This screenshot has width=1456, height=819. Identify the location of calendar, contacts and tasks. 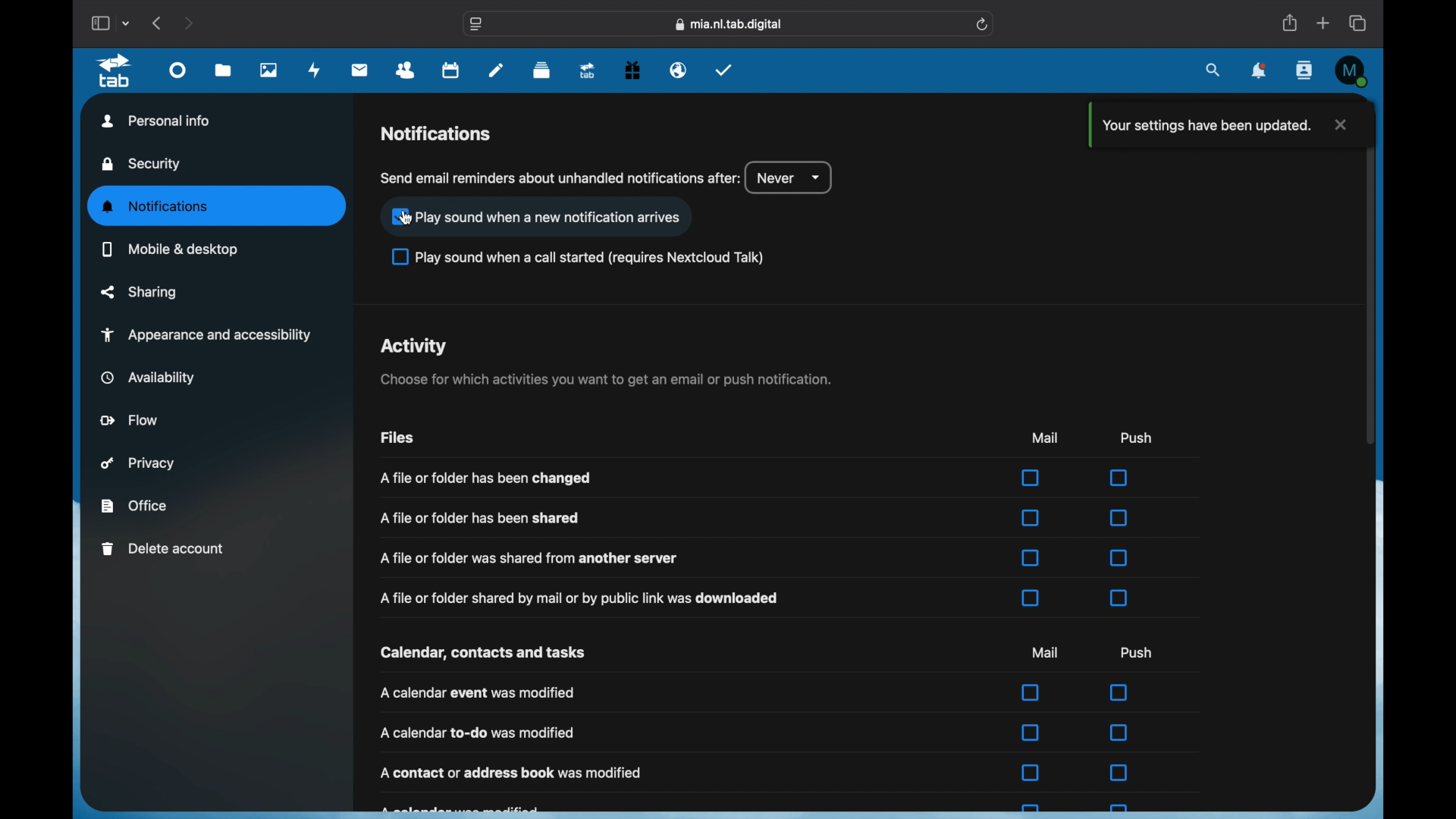
(482, 653).